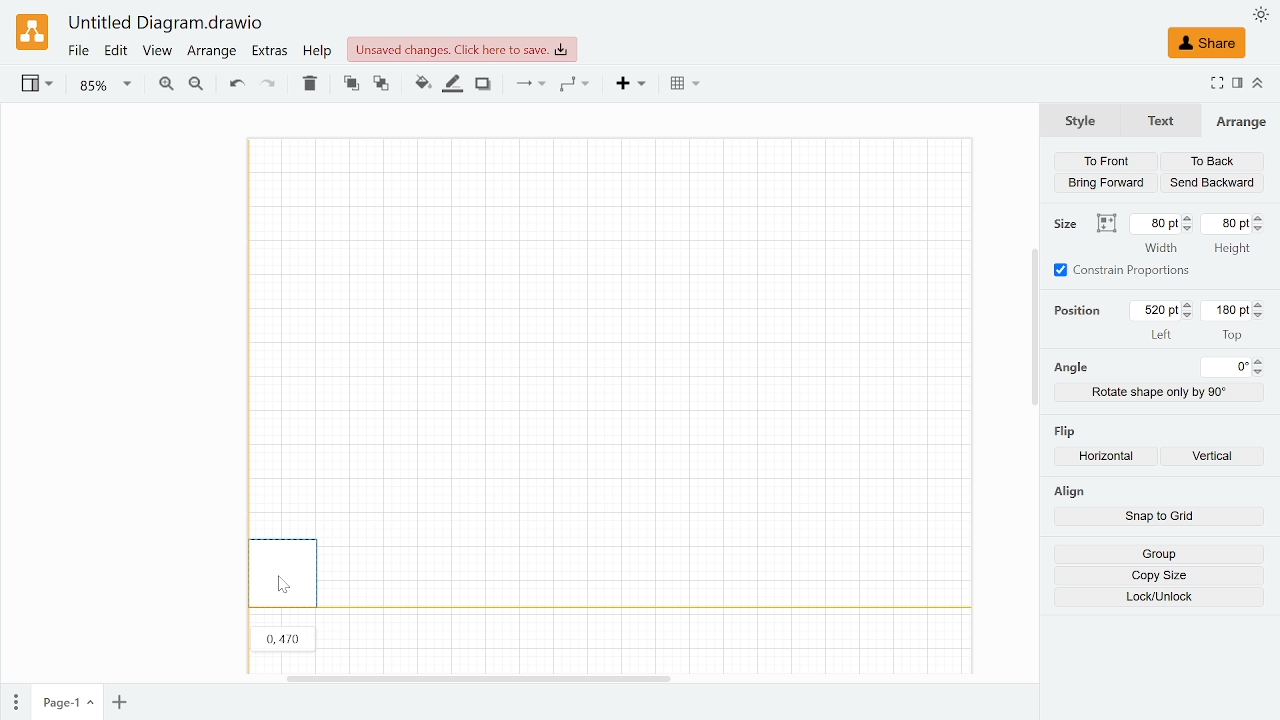  Describe the element at coordinates (1068, 491) in the screenshot. I see `align` at that location.